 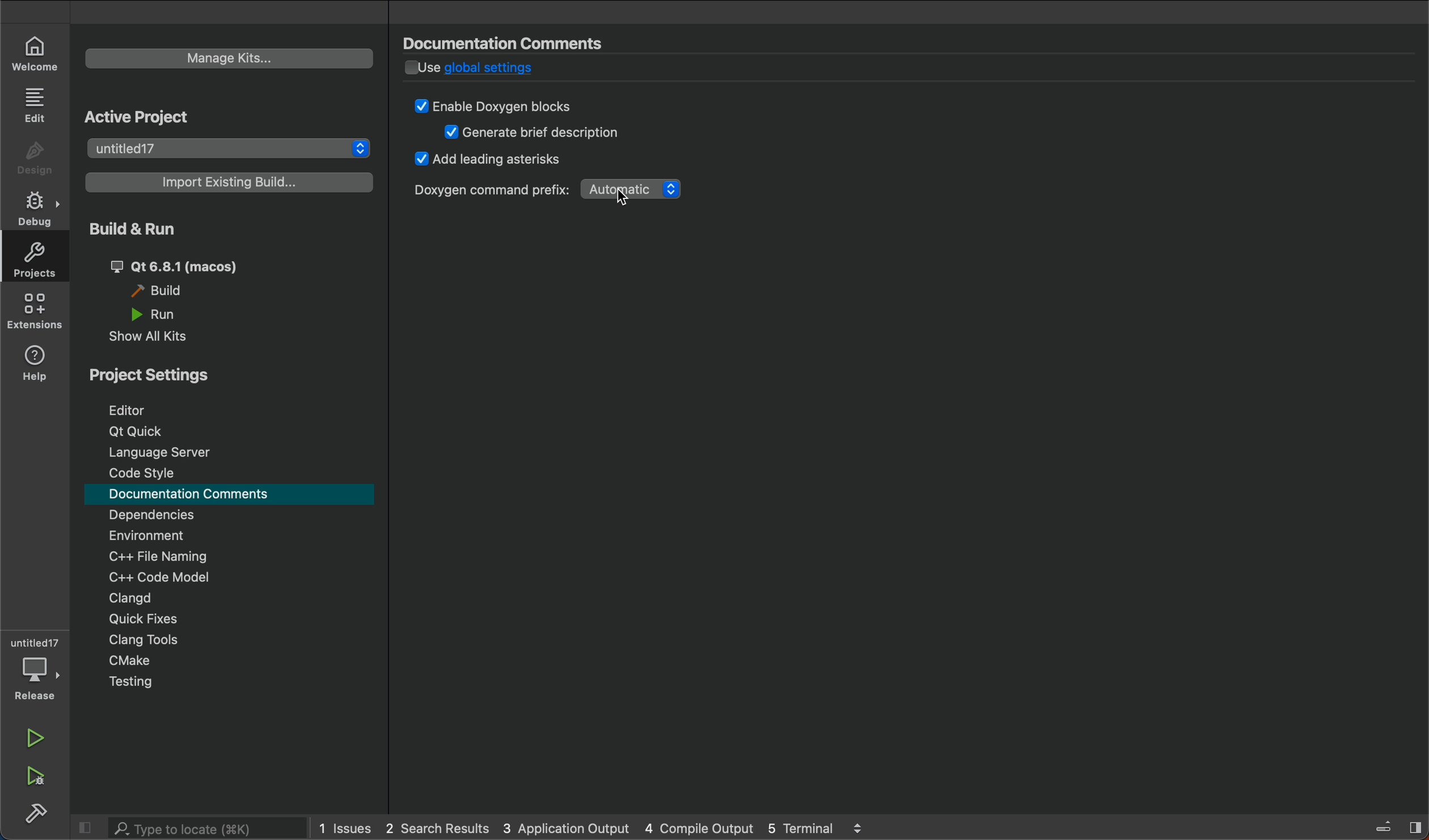 I want to click on environment, so click(x=147, y=534).